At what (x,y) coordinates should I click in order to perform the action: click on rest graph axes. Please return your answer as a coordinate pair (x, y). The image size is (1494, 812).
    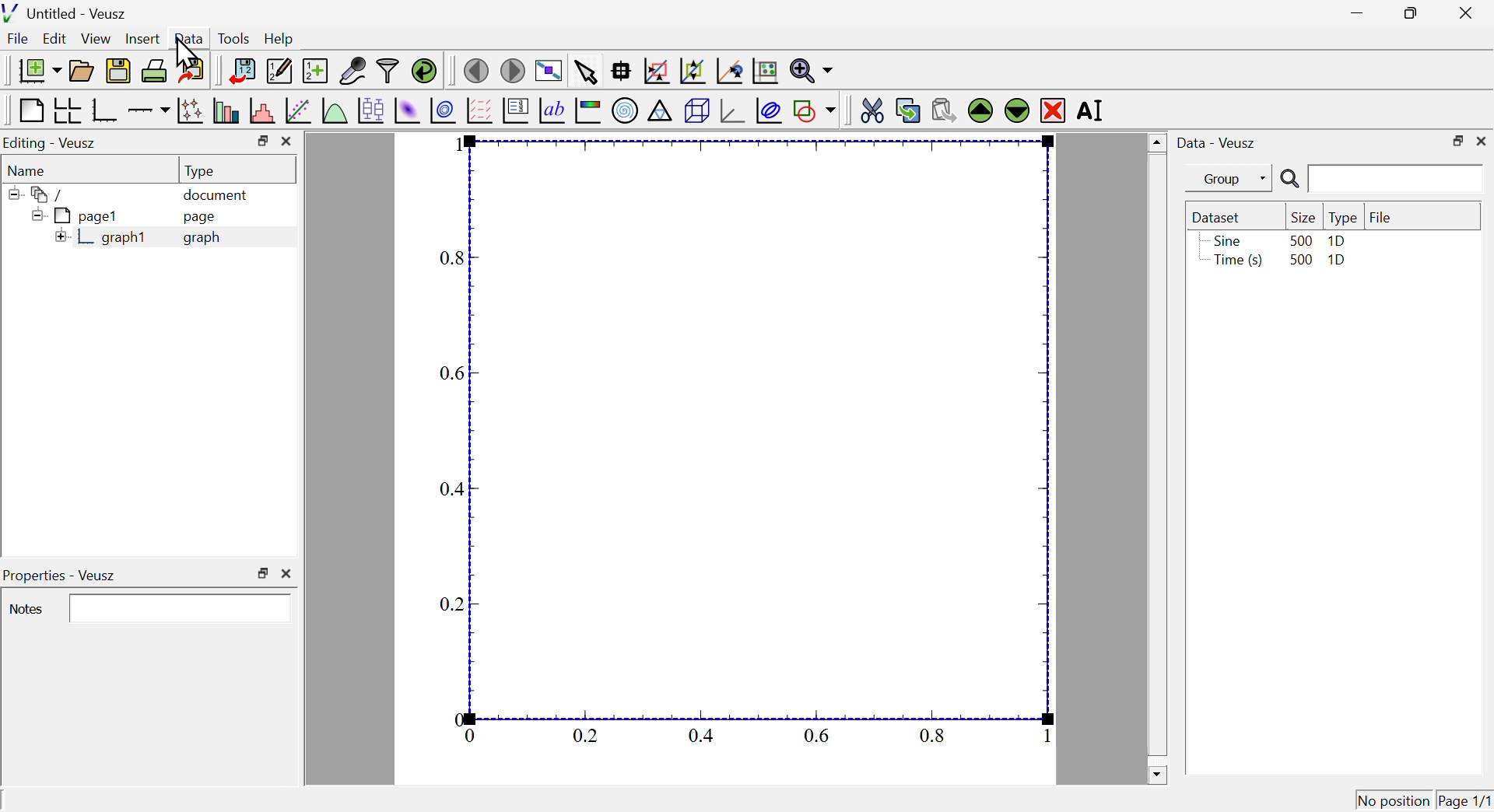
    Looking at the image, I should click on (763, 72).